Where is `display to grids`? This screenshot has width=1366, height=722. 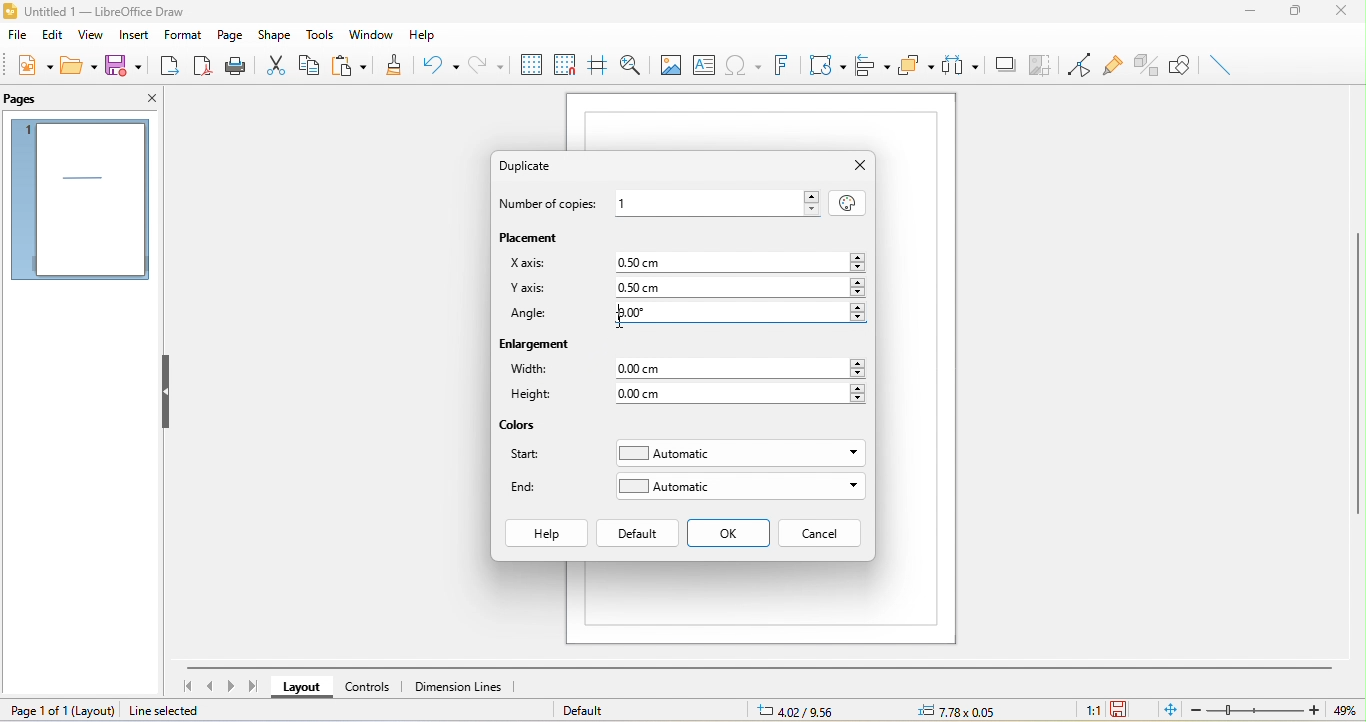 display to grids is located at coordinates (530, 64).